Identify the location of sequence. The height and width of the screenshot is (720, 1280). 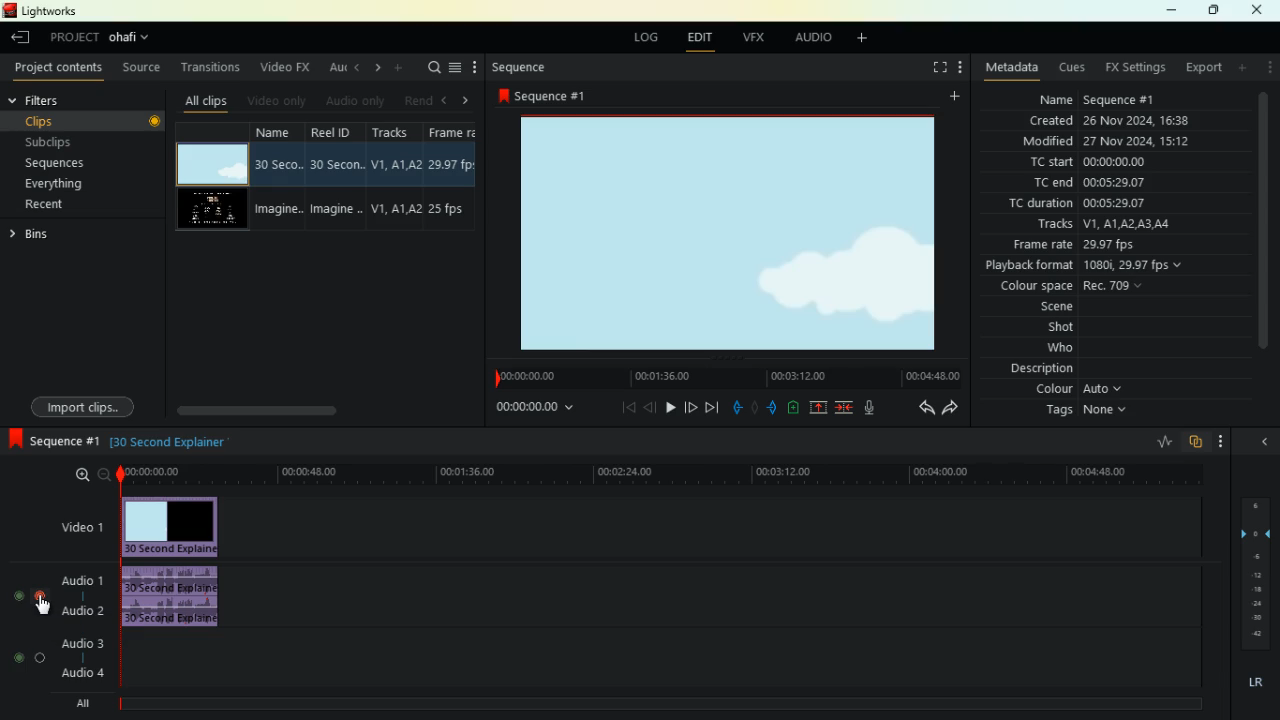
(525, 63).